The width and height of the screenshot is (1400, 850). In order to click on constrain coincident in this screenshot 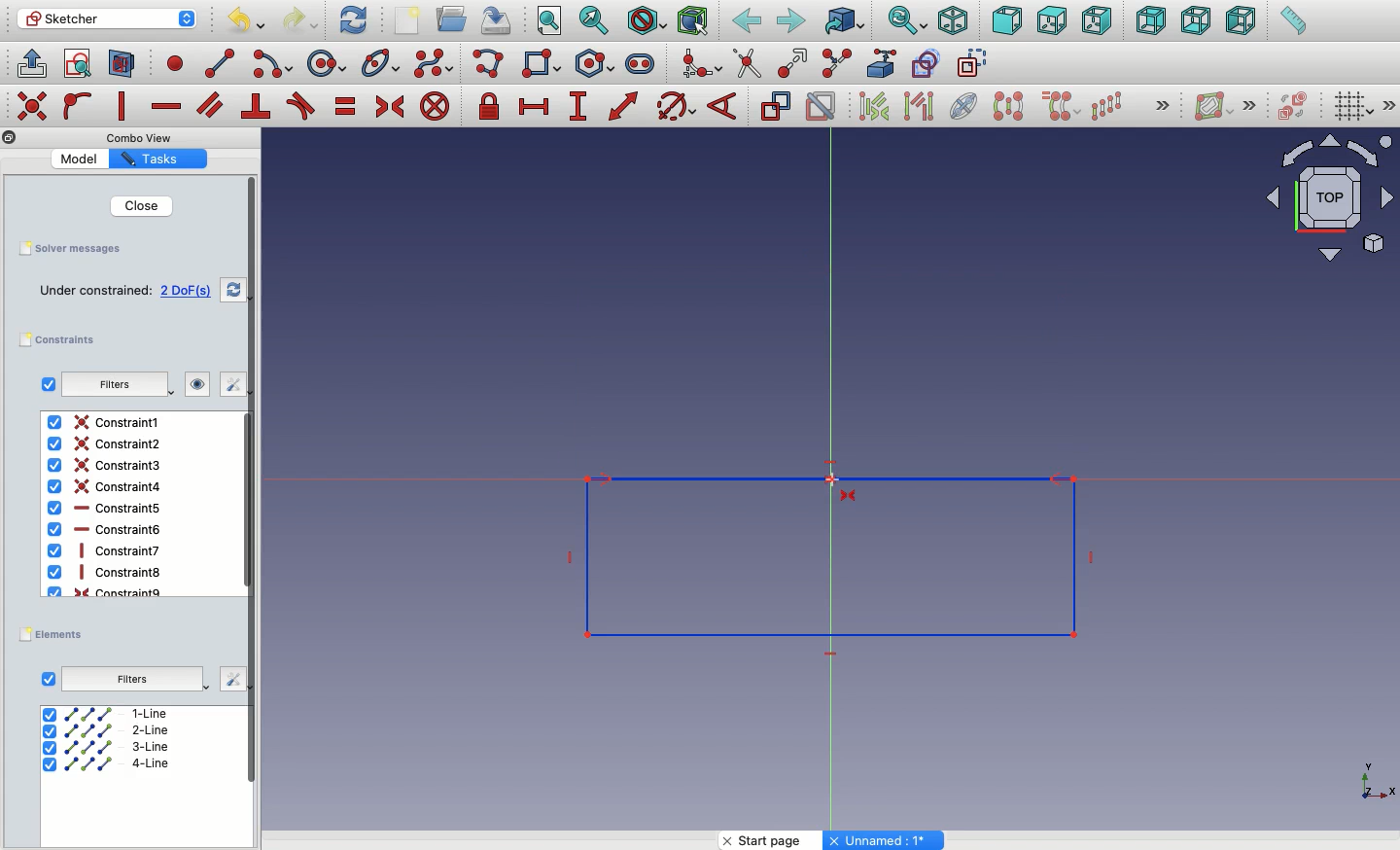, I will do `click(34, 106)`.